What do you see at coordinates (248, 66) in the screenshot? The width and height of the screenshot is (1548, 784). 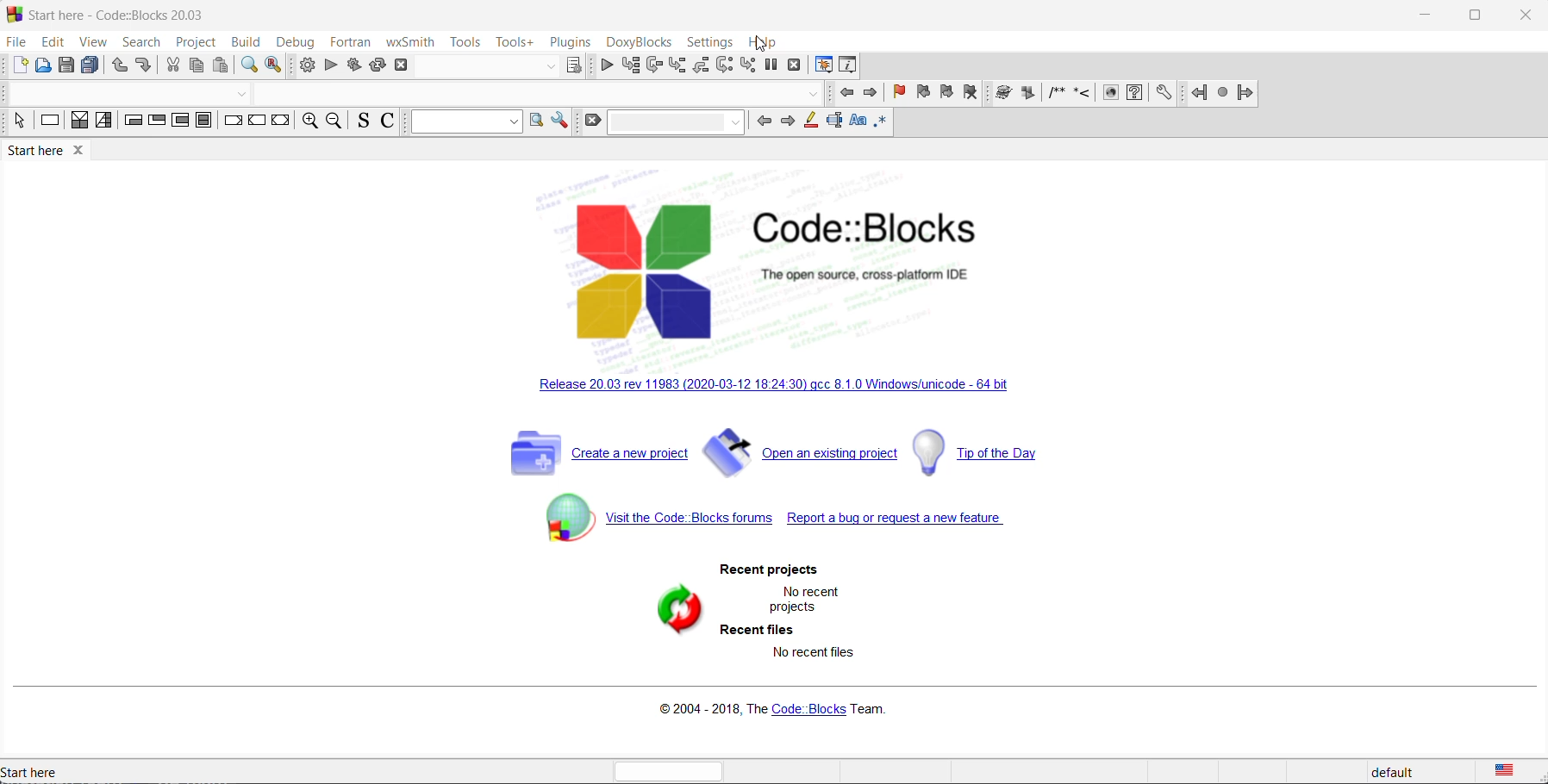 I see `find` at bounding box center [248, 66].